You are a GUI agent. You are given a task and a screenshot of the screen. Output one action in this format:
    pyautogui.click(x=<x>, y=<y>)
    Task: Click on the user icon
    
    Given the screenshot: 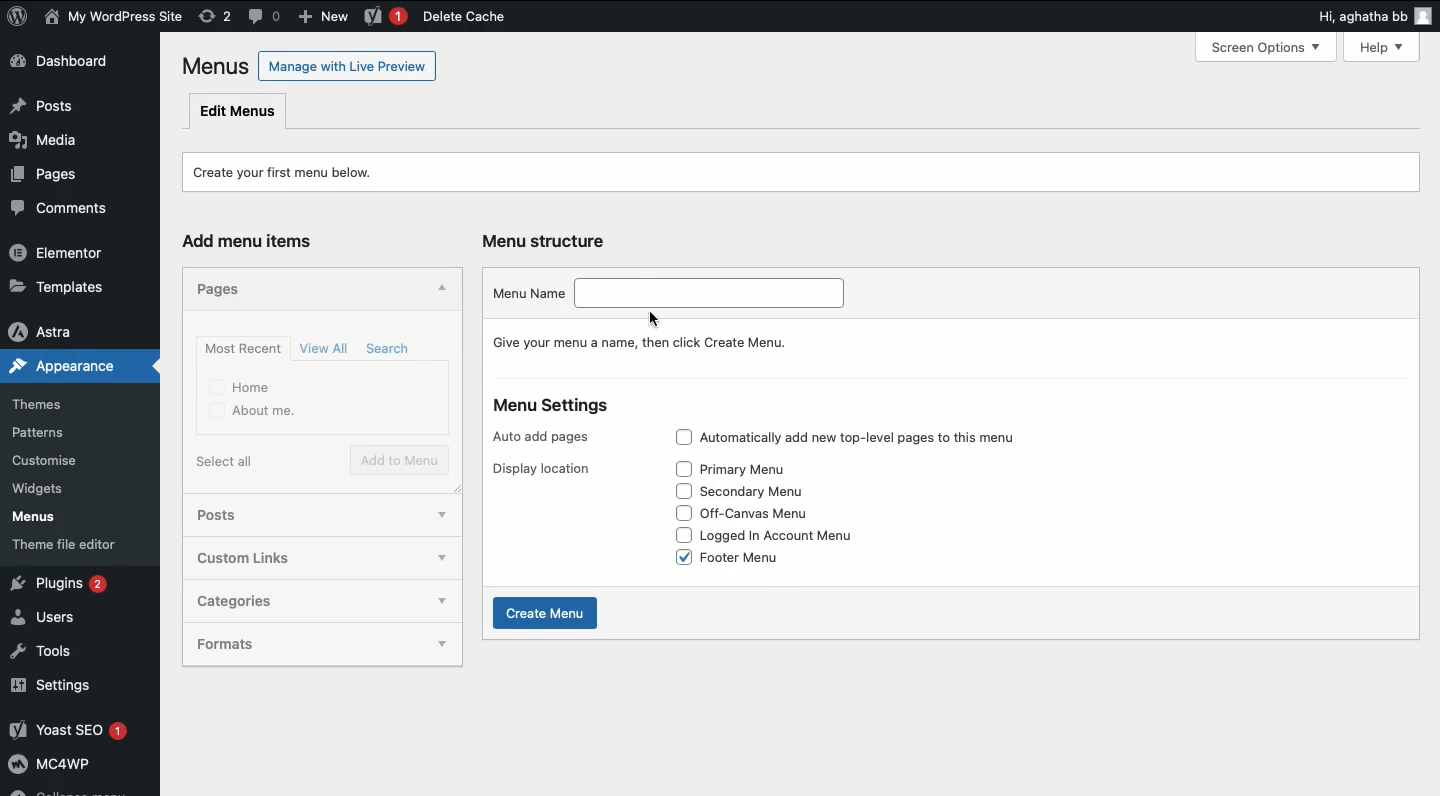 What is the action you would take?
    pyautogui.click(x=1424, y=18)
    